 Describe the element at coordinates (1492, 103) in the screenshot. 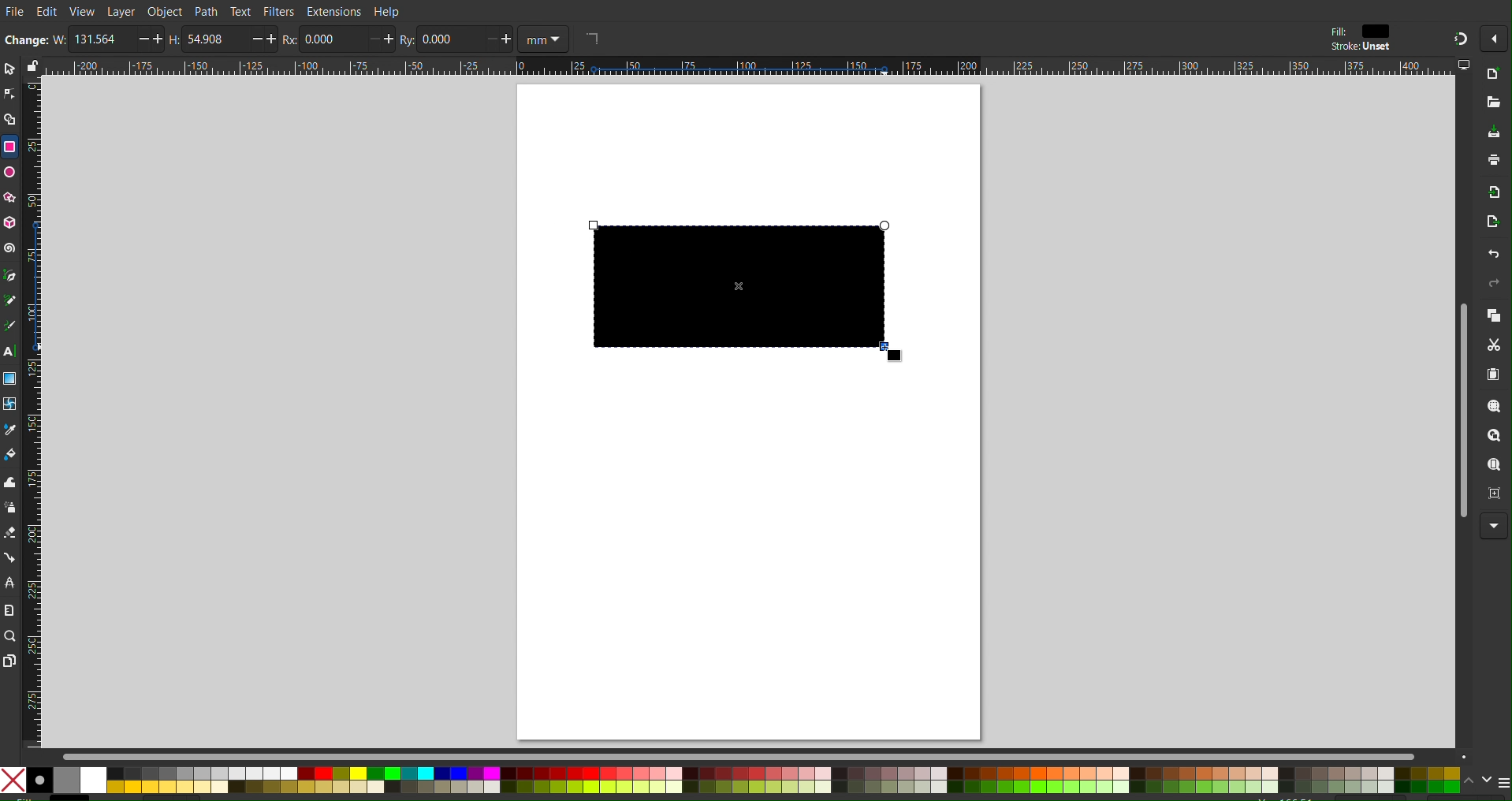

I see `Open` at that location.